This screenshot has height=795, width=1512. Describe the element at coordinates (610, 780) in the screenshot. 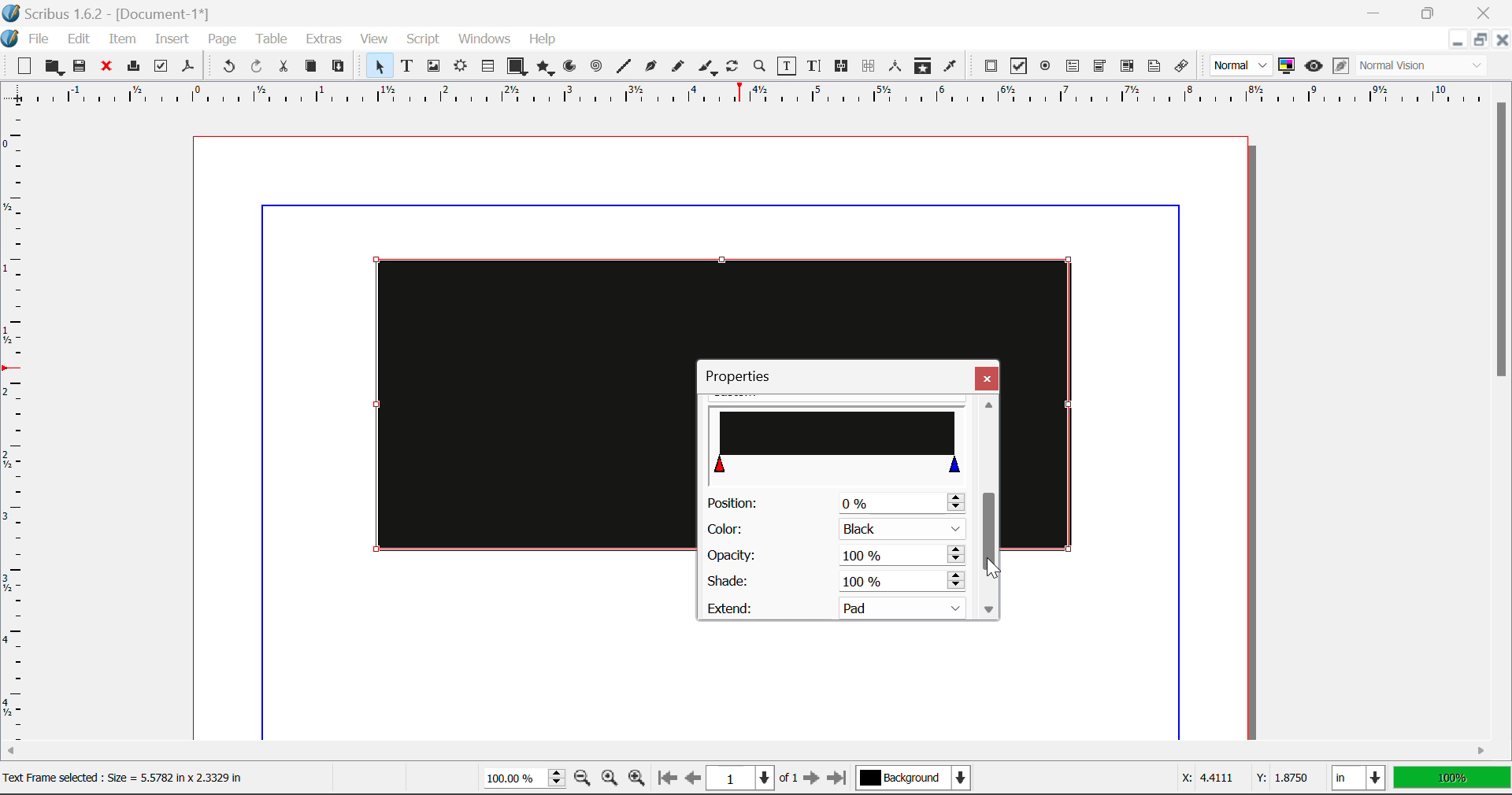

I see `Zoom to 100%` at that location.